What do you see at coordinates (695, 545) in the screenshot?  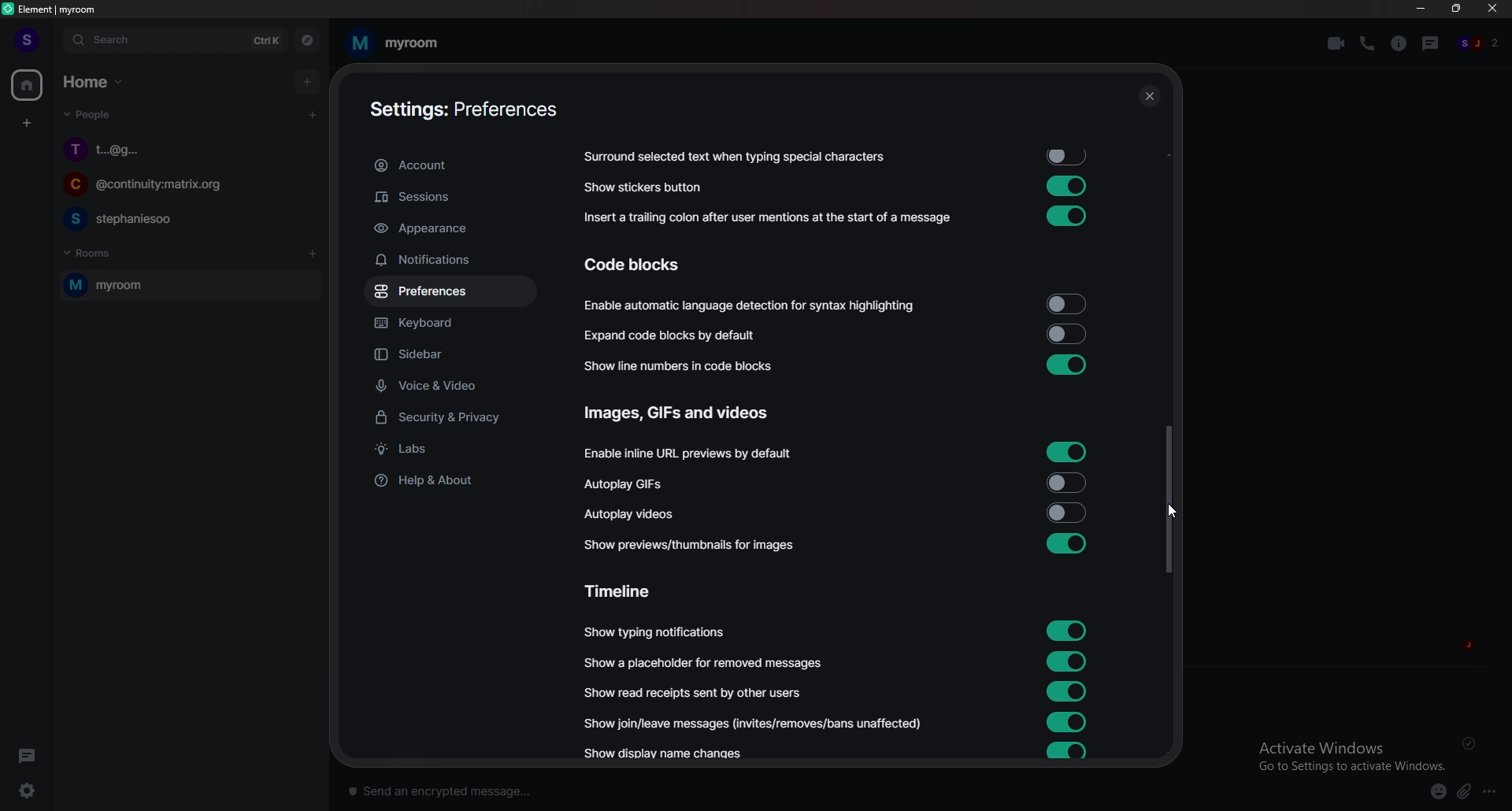 I see `show previews for images` at bounding box center [695, 545].